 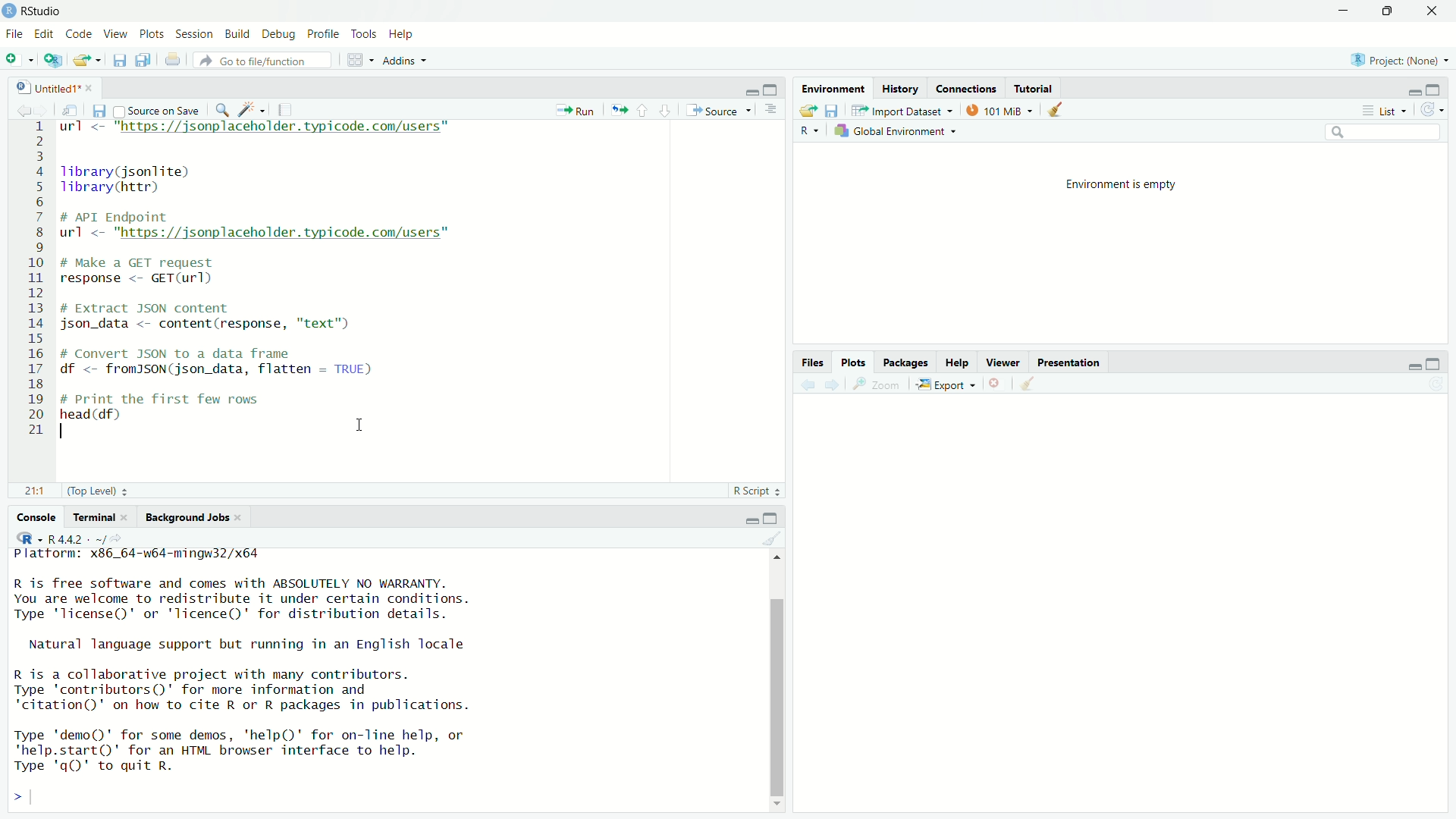 I want to click on Show in new window, so click(x=68, y=111).